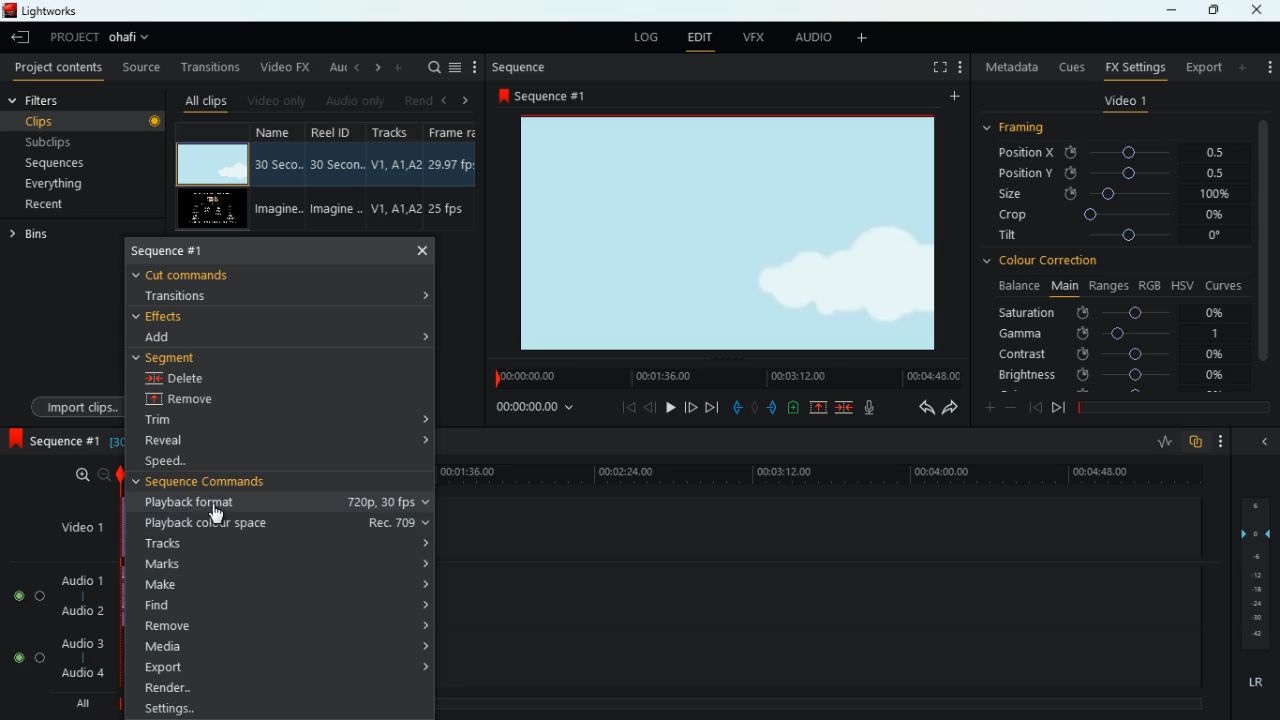 The height and width of the screenshot is (720, 1280). Describe the element at coordinates (1180, 285) in the screenshot. I see `hsv` at that location.